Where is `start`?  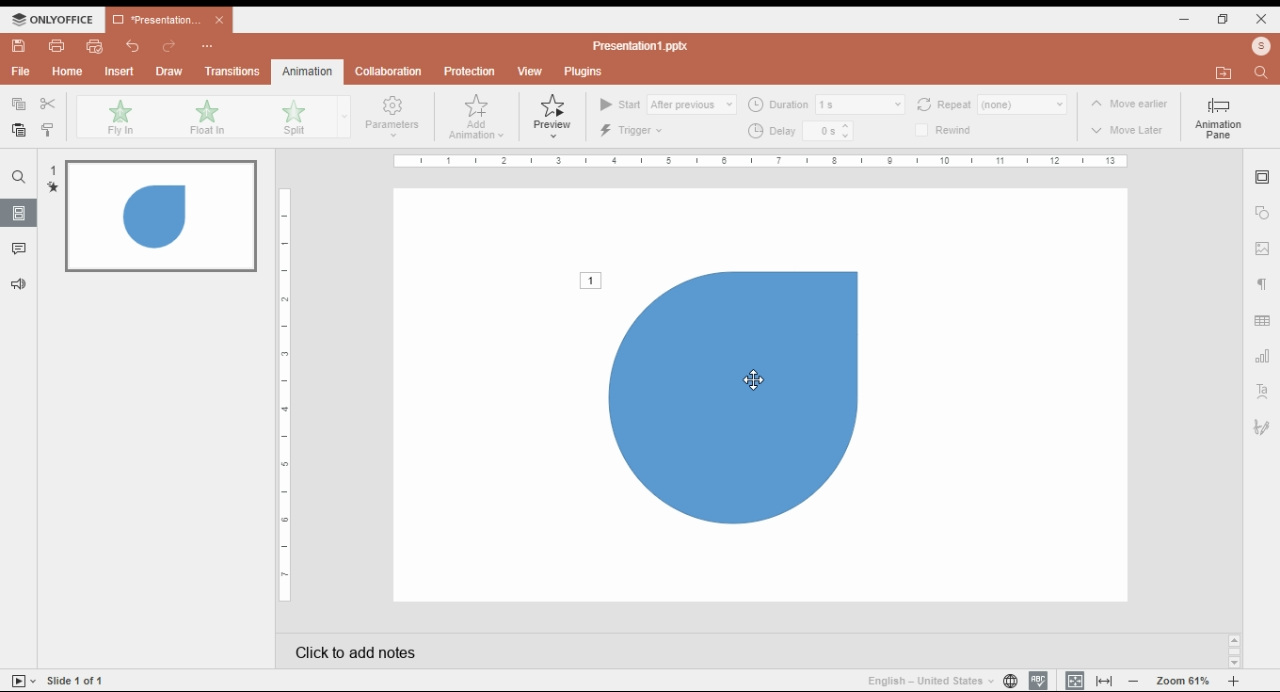
start is located at coordinates (667, 104).